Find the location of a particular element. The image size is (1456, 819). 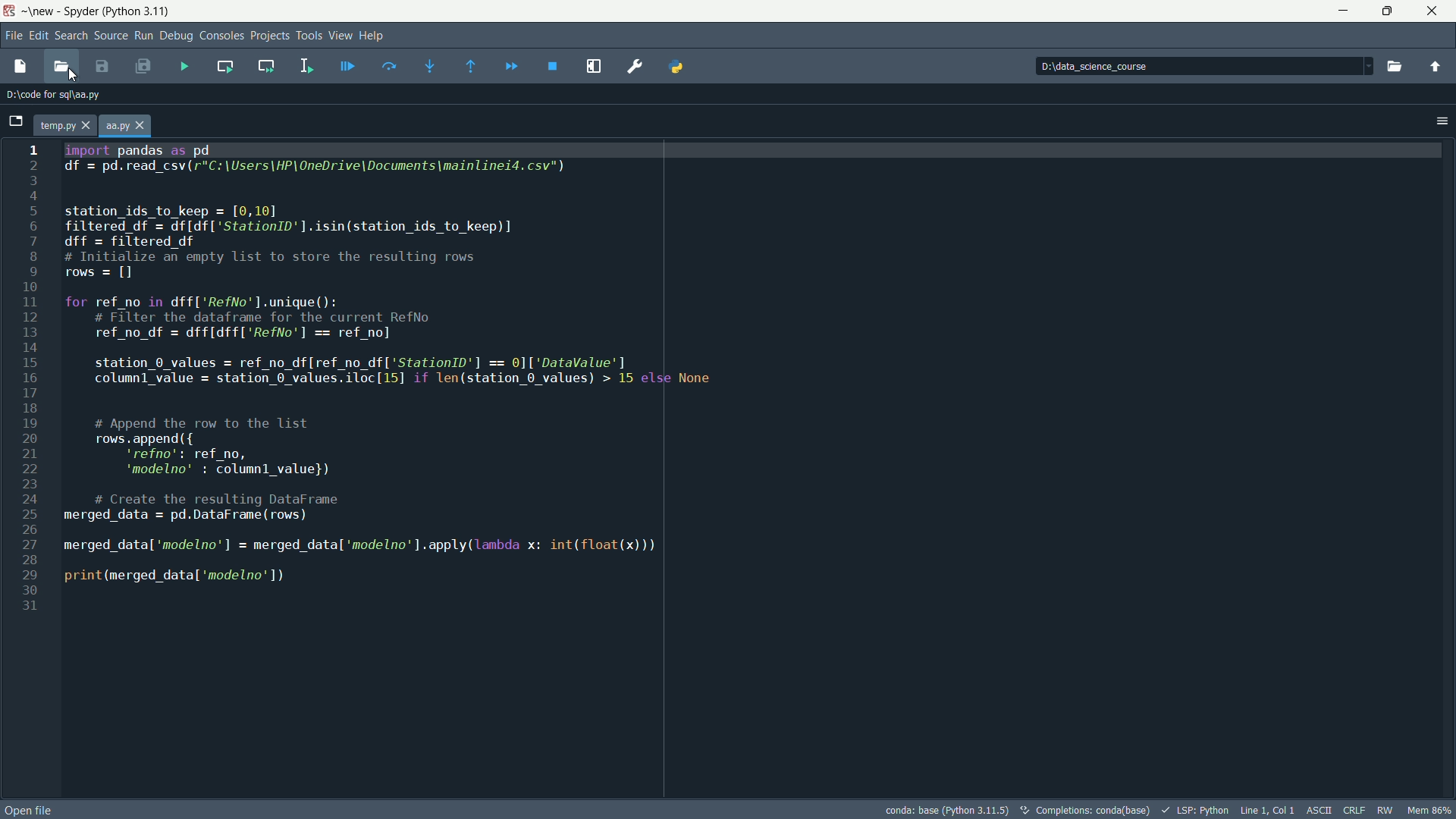

cursor is located at coordinates (73, 74).